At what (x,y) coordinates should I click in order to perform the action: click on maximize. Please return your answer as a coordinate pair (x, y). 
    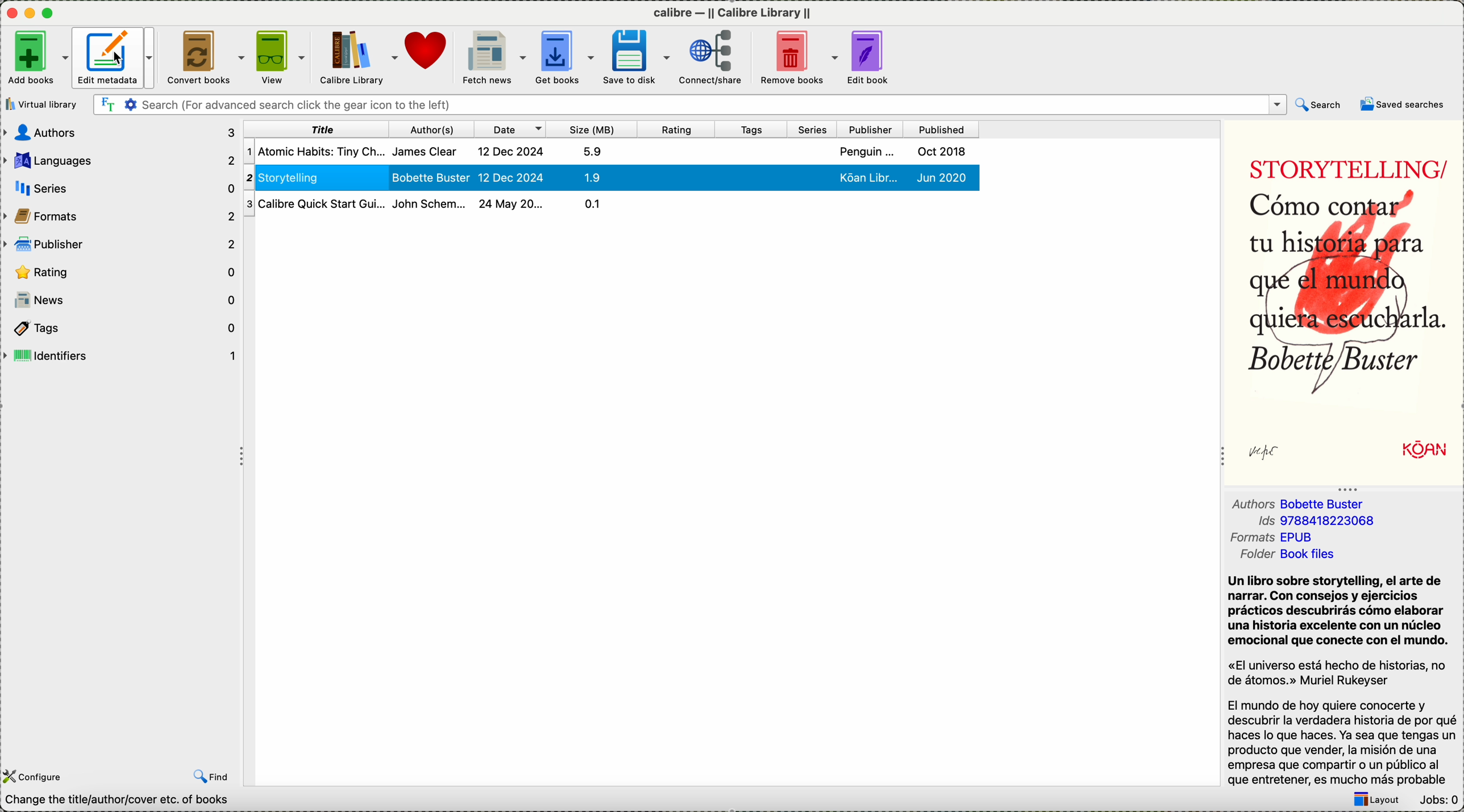
    Looking at the image, I should click on (50, 13).